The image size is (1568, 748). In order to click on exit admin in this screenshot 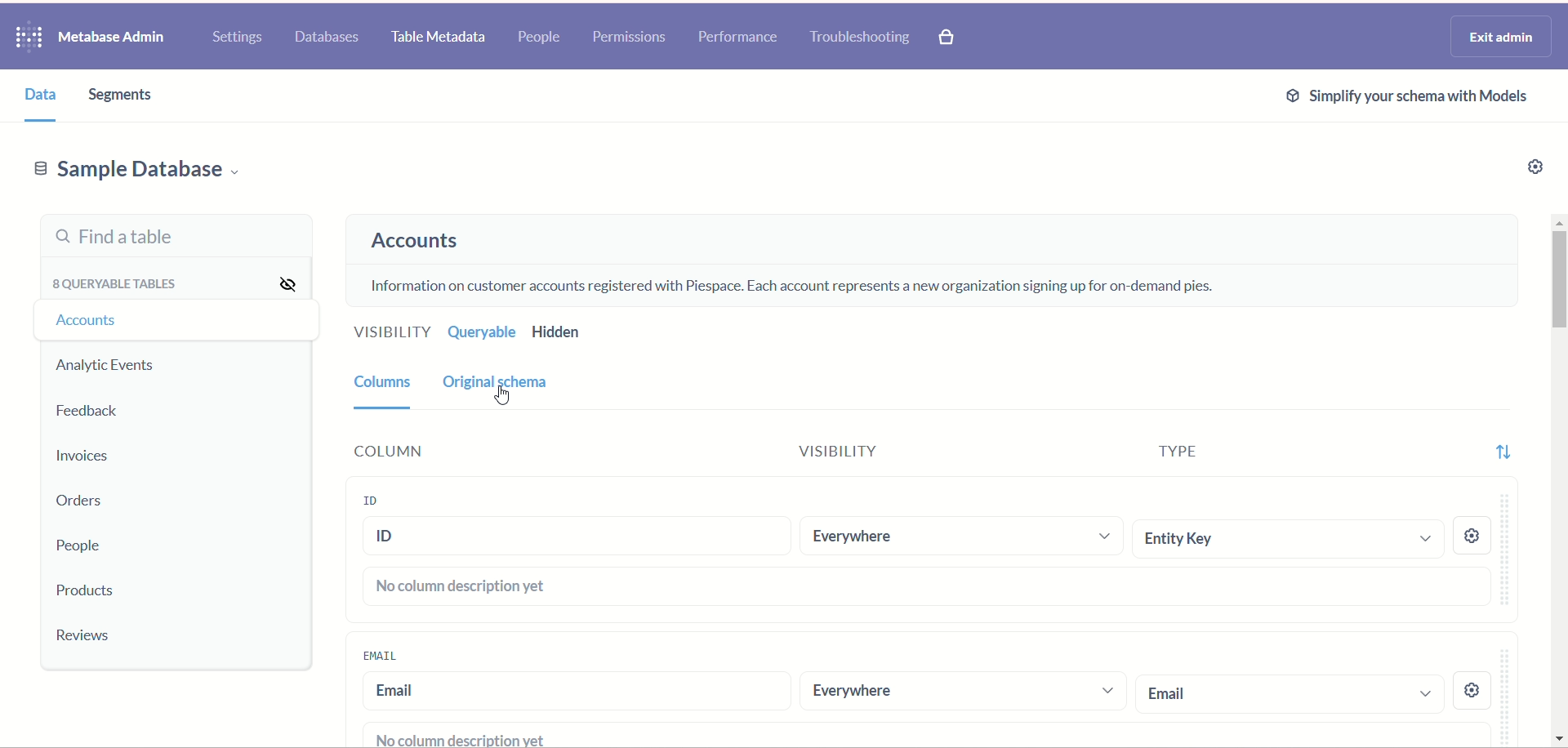, I will do `click(1502, 37)`.